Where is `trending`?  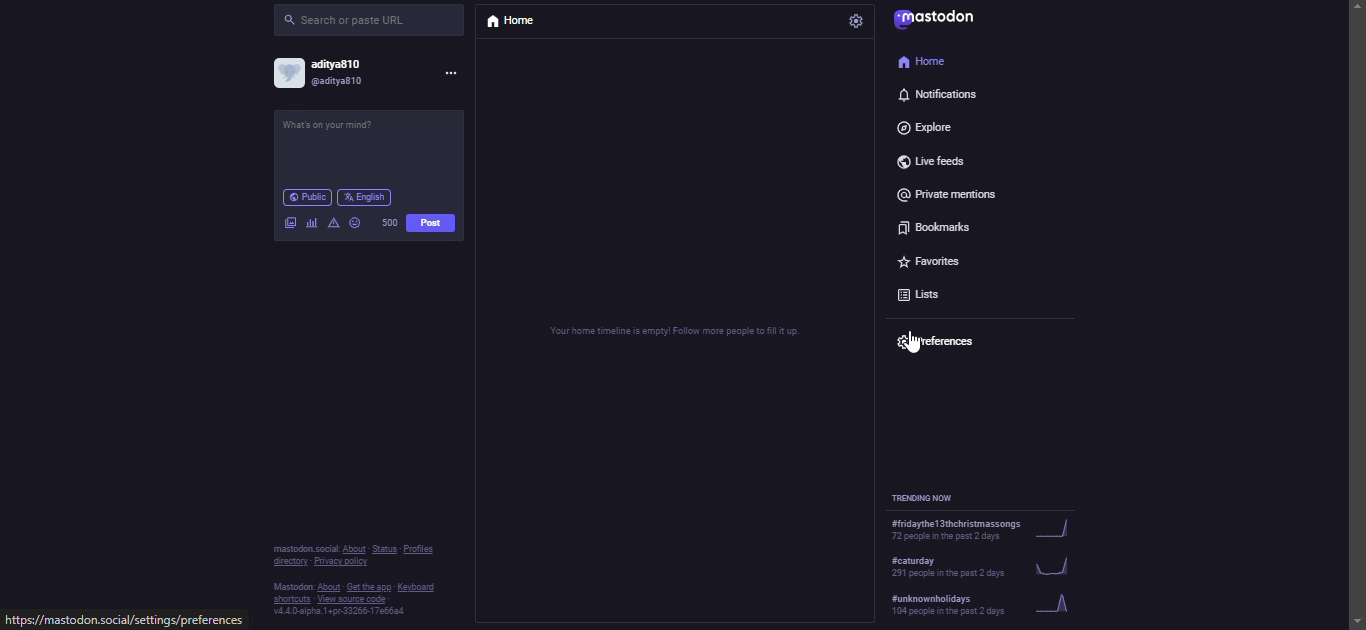
trending is located at coordinates (987, 529).